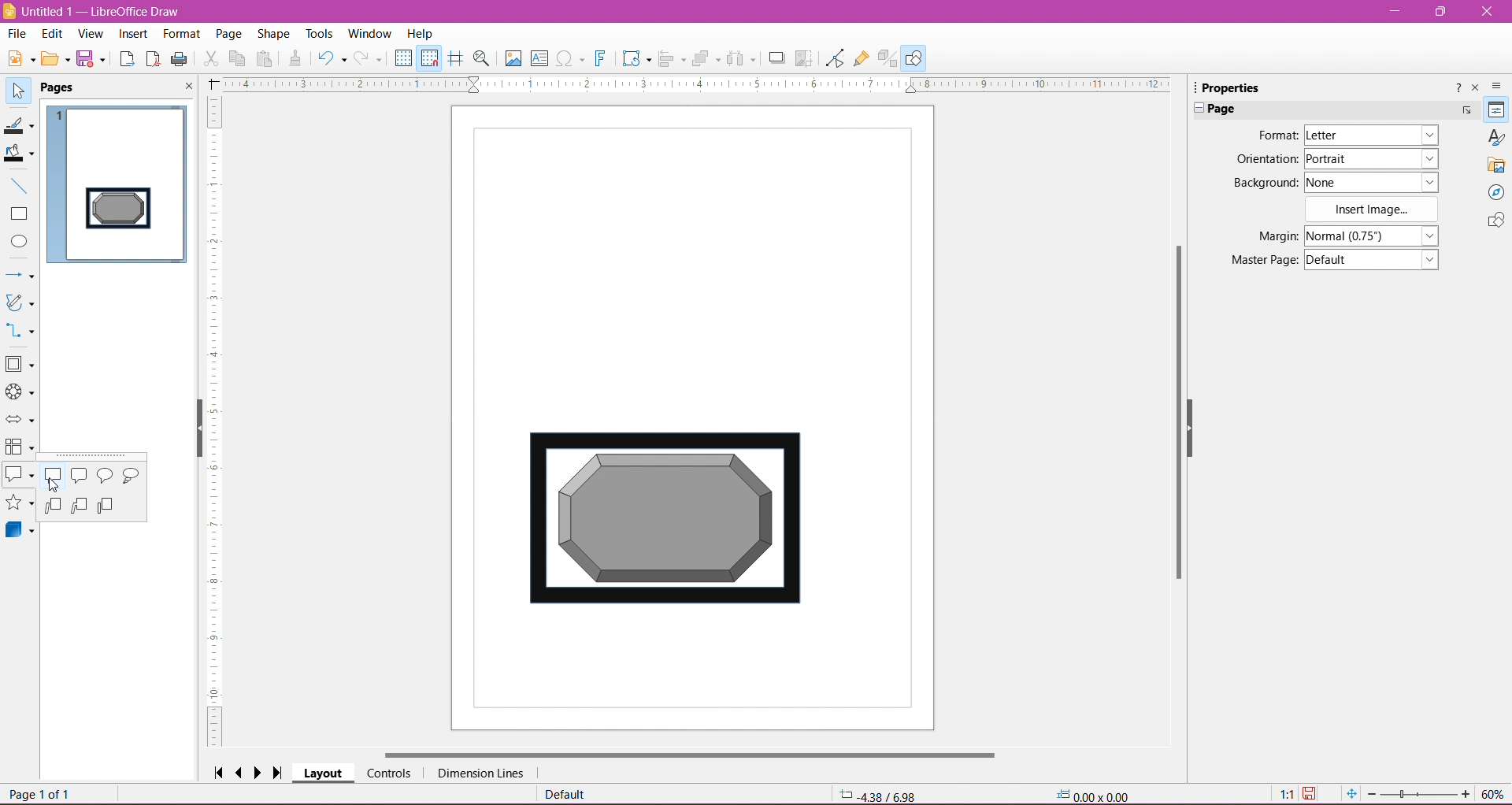 The width and height of the screenshot is (1512, 805). Describe the element at coordinates (53, 477) in the screenshot. I see `Rectangular Callout` at that location.